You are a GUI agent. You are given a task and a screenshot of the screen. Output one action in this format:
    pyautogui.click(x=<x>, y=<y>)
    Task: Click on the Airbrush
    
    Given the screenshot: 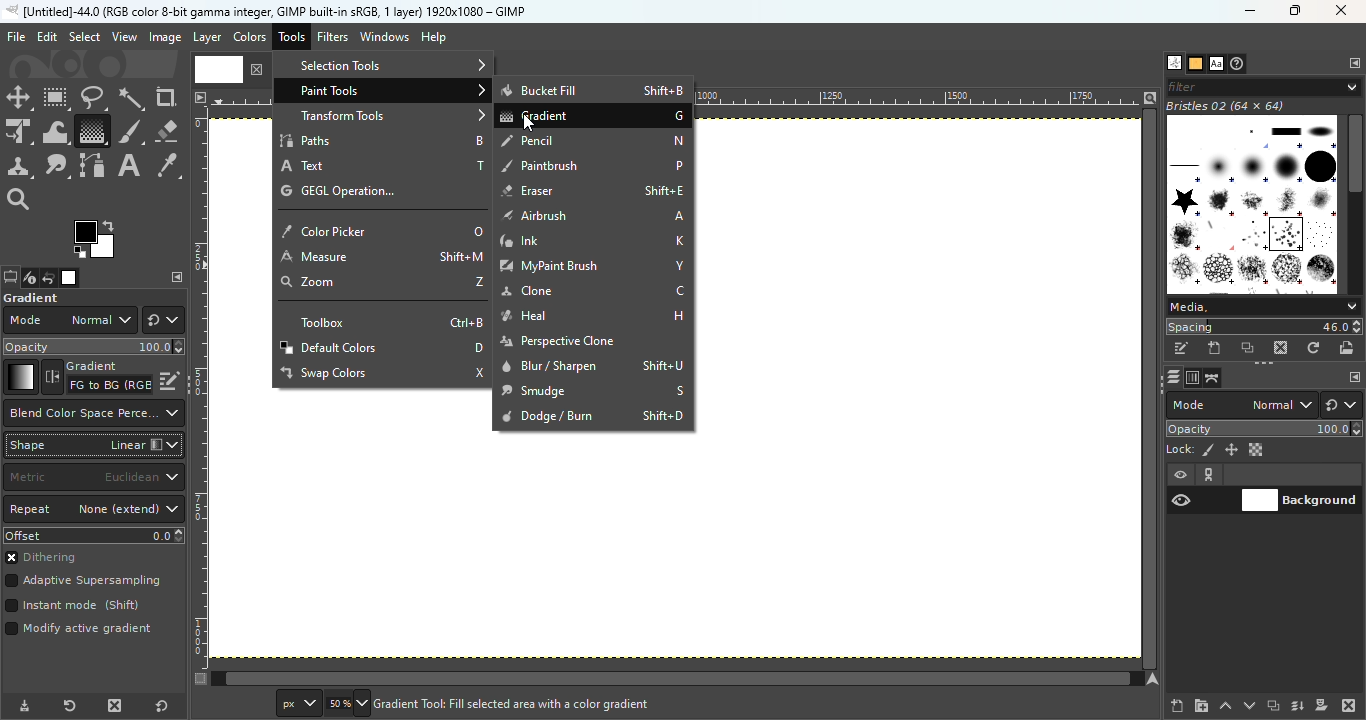 What is the action you would take?
    pyautogui.click(x=591, y=214)
    